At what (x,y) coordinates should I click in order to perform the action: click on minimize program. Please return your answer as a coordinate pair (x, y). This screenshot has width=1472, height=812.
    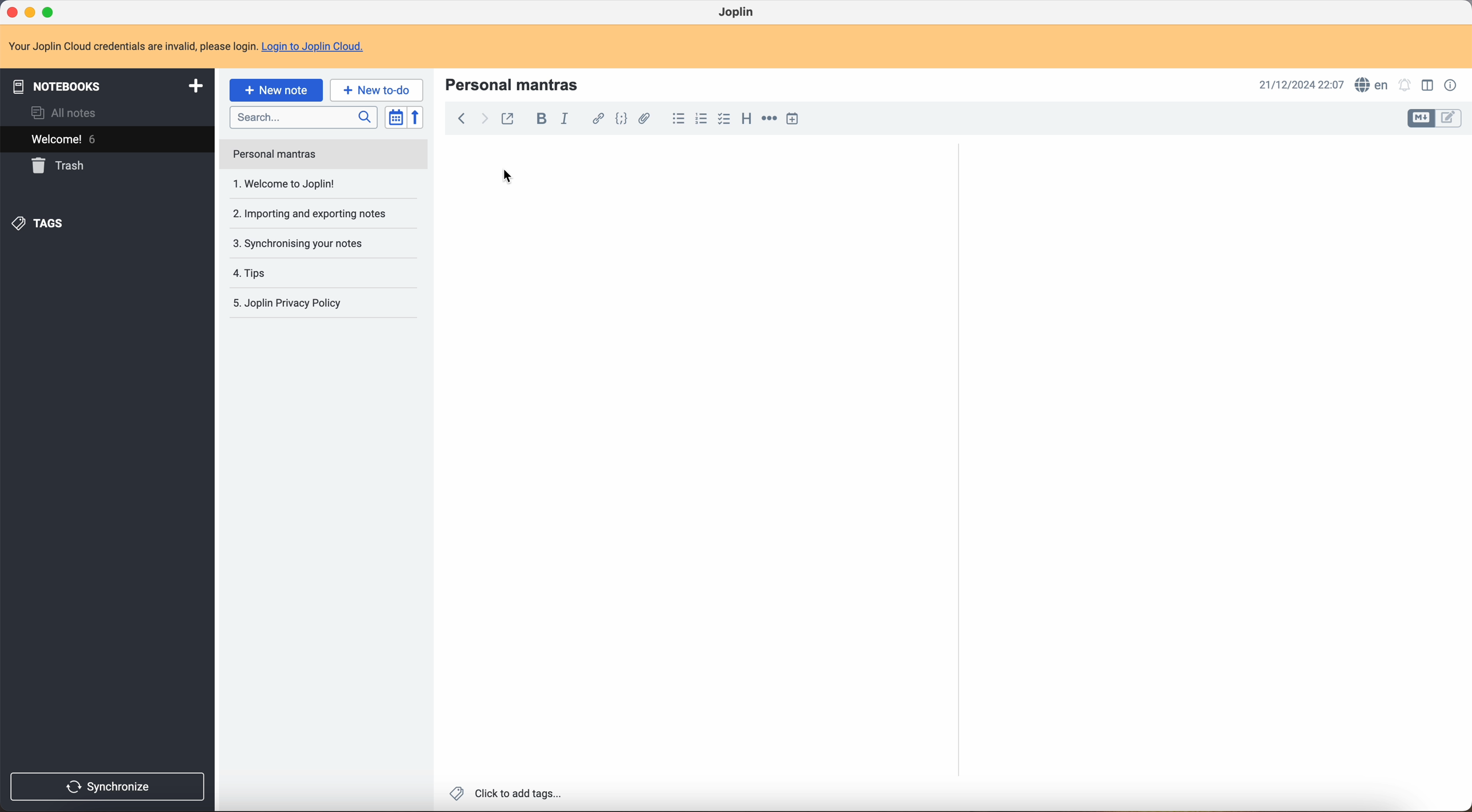
    Looking at the image, I should click on (30, 11).